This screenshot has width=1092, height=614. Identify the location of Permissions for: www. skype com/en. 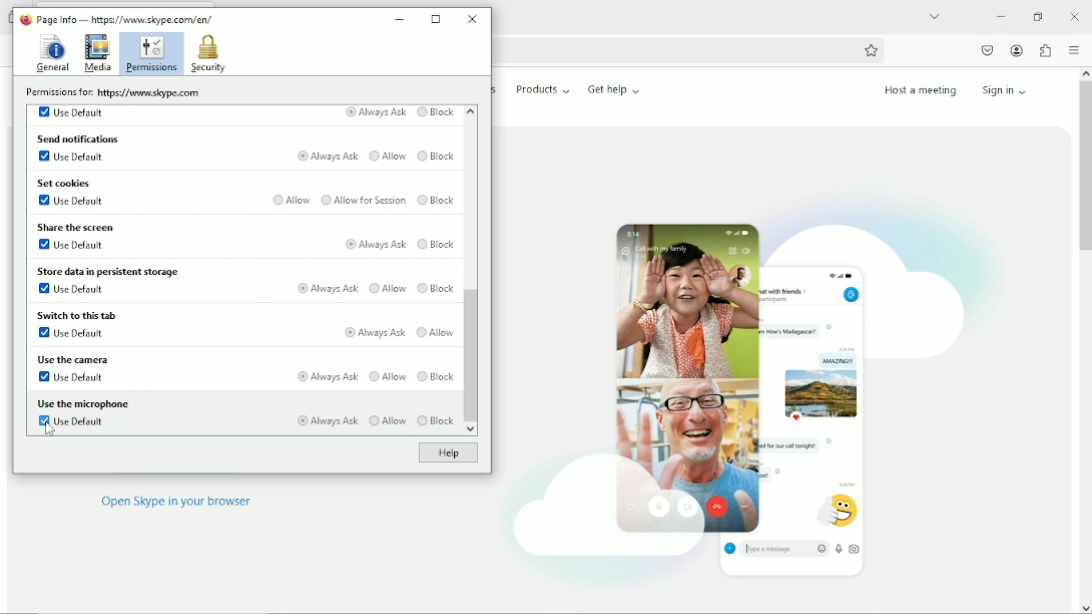
(114, 91).